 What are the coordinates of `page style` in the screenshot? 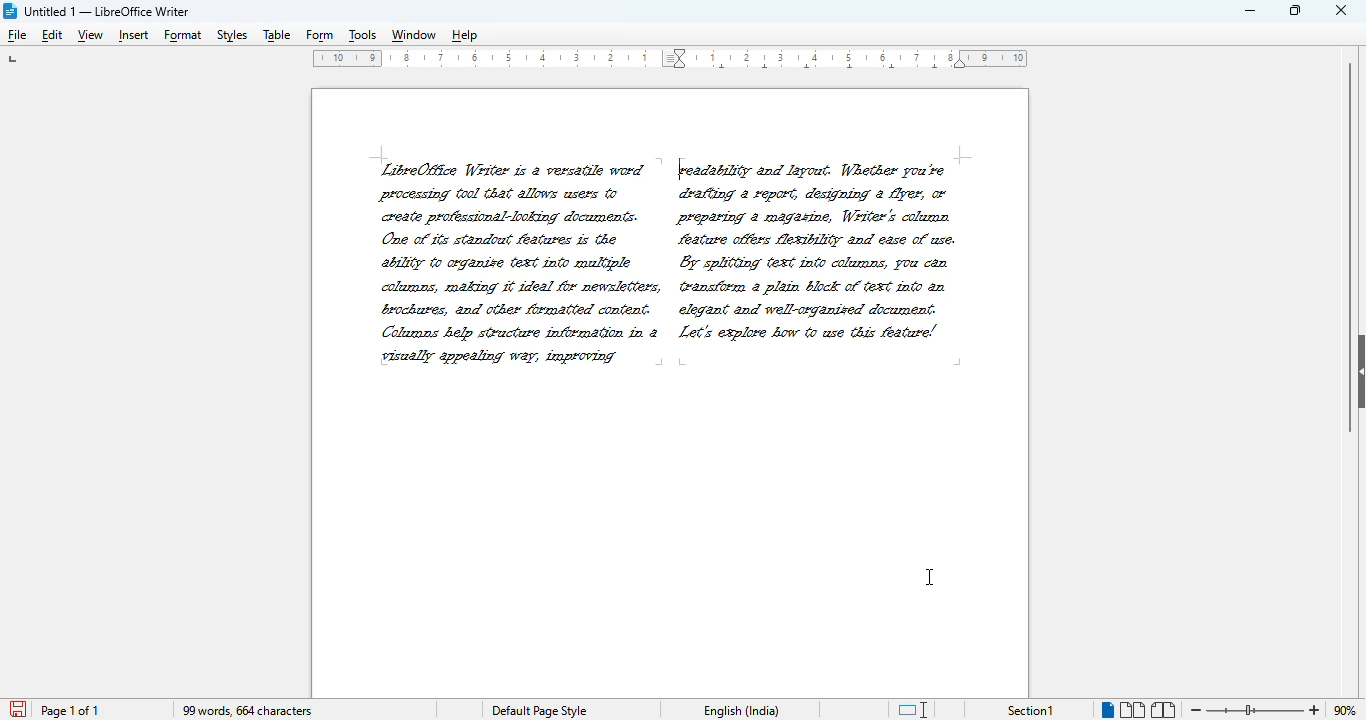 It's located at (540, 711).